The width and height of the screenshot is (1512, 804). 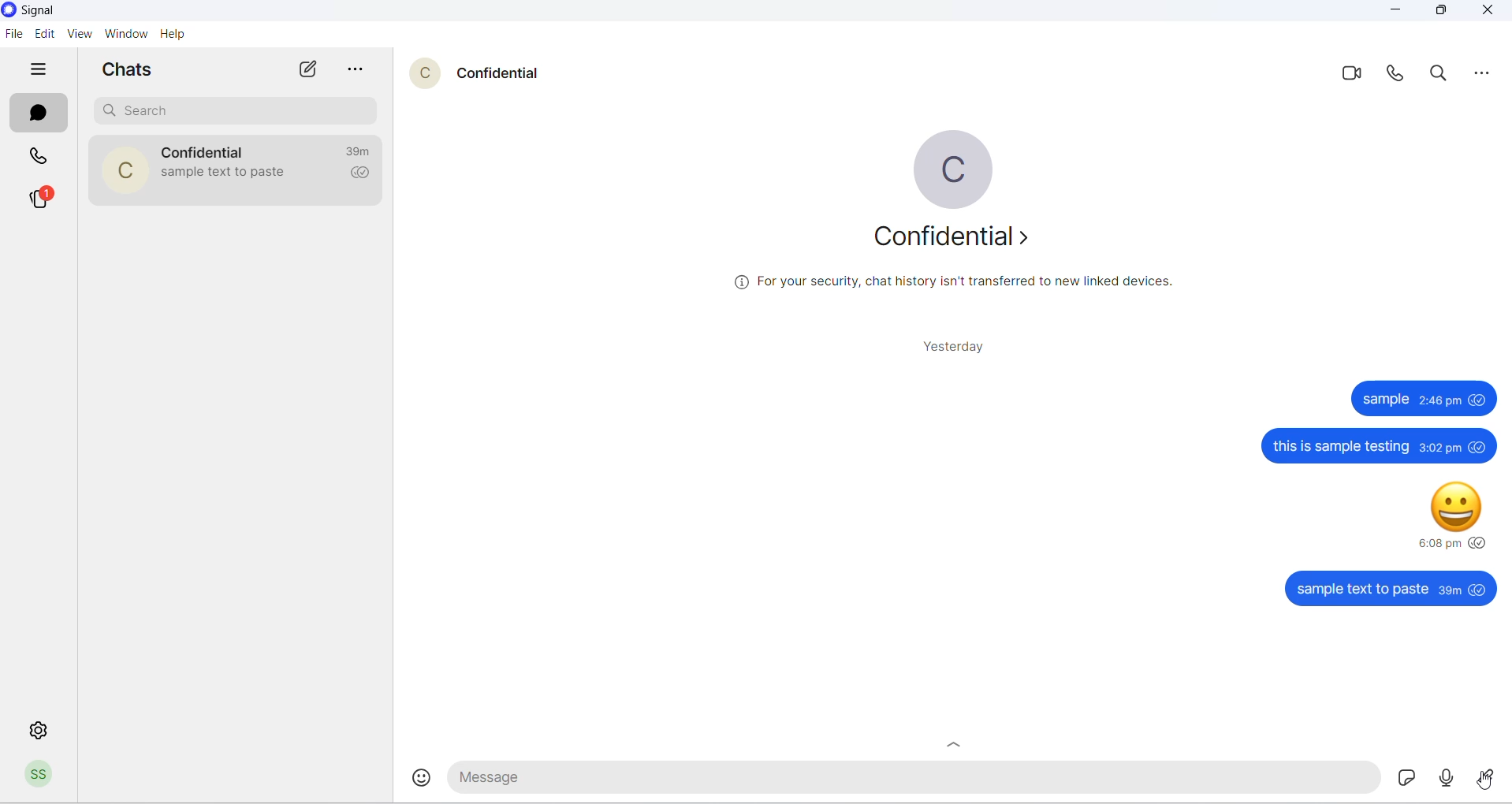 I want to click on seen, so click(x=1479, y=542).